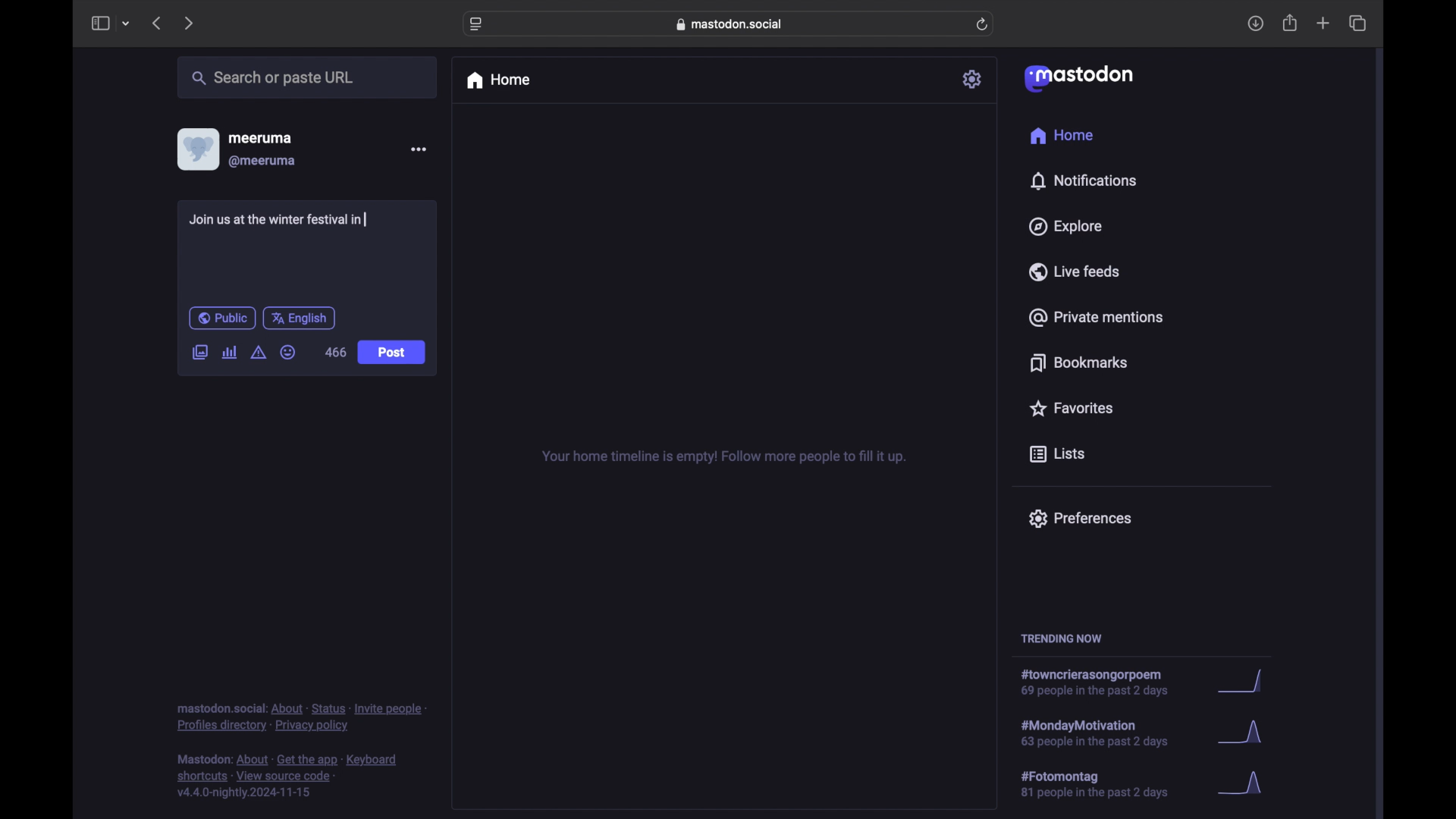 This screenshot has width=1456, height=819. I want to click on hashtag trend, so click(1103, 683).